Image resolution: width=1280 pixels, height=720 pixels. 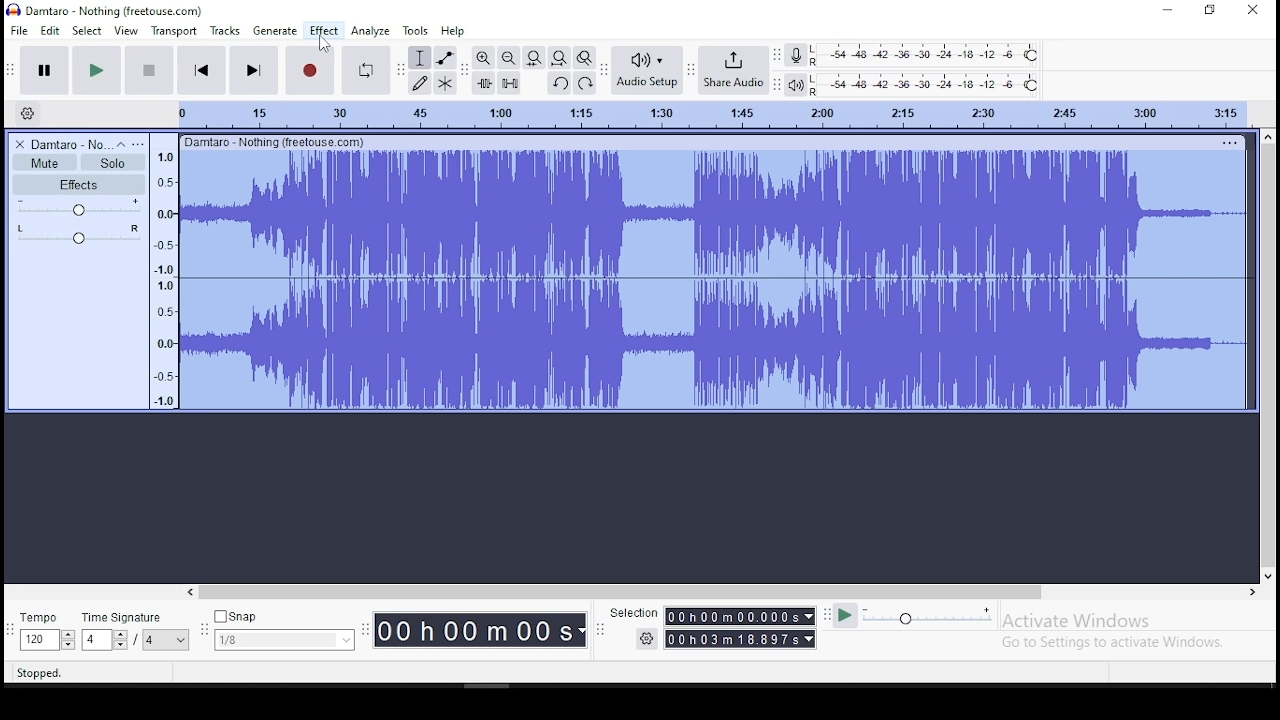 I want to click on analyze, so click(x=370, y=31).